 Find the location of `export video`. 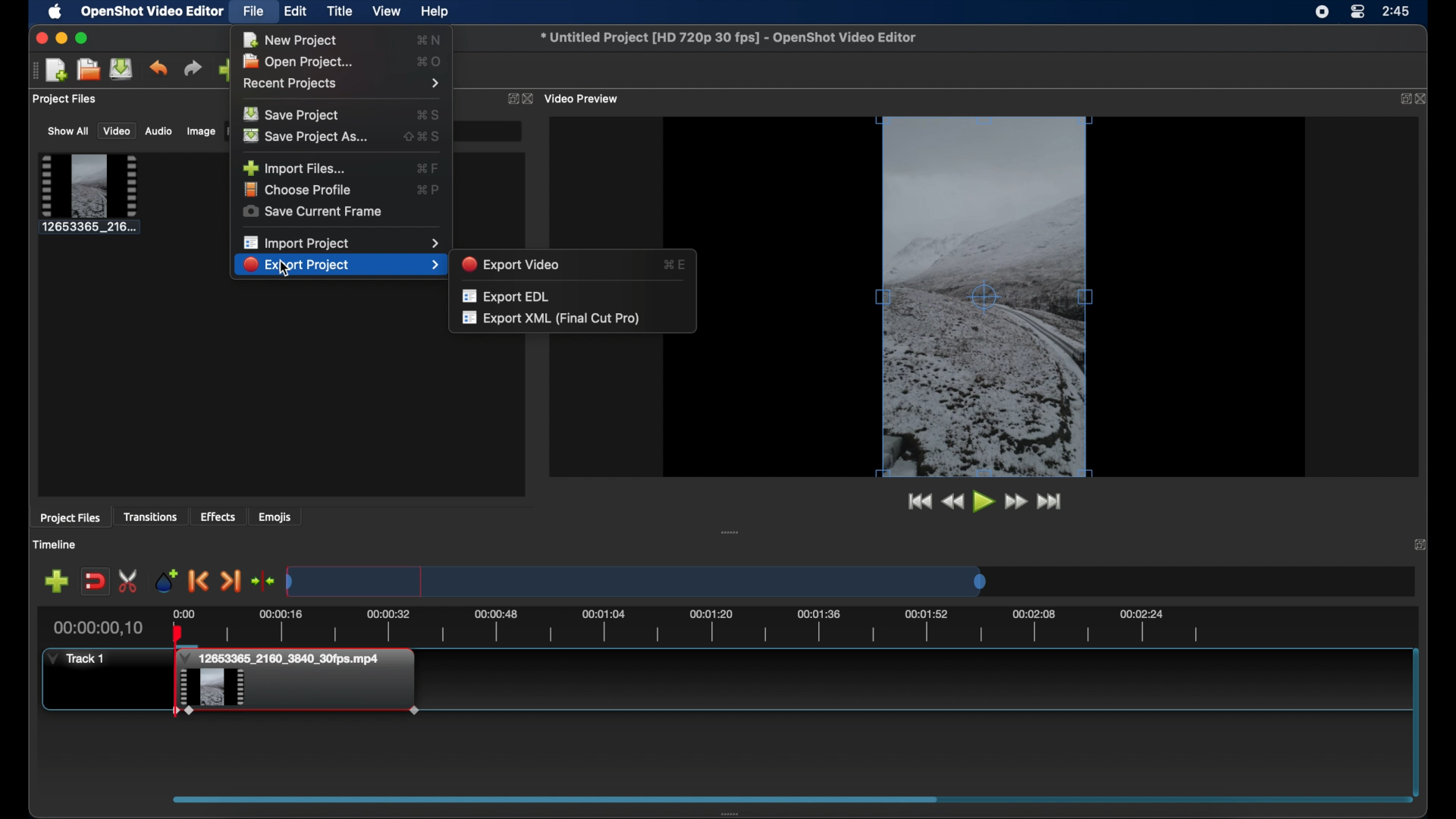

export video is located at coordinates (513, 263).